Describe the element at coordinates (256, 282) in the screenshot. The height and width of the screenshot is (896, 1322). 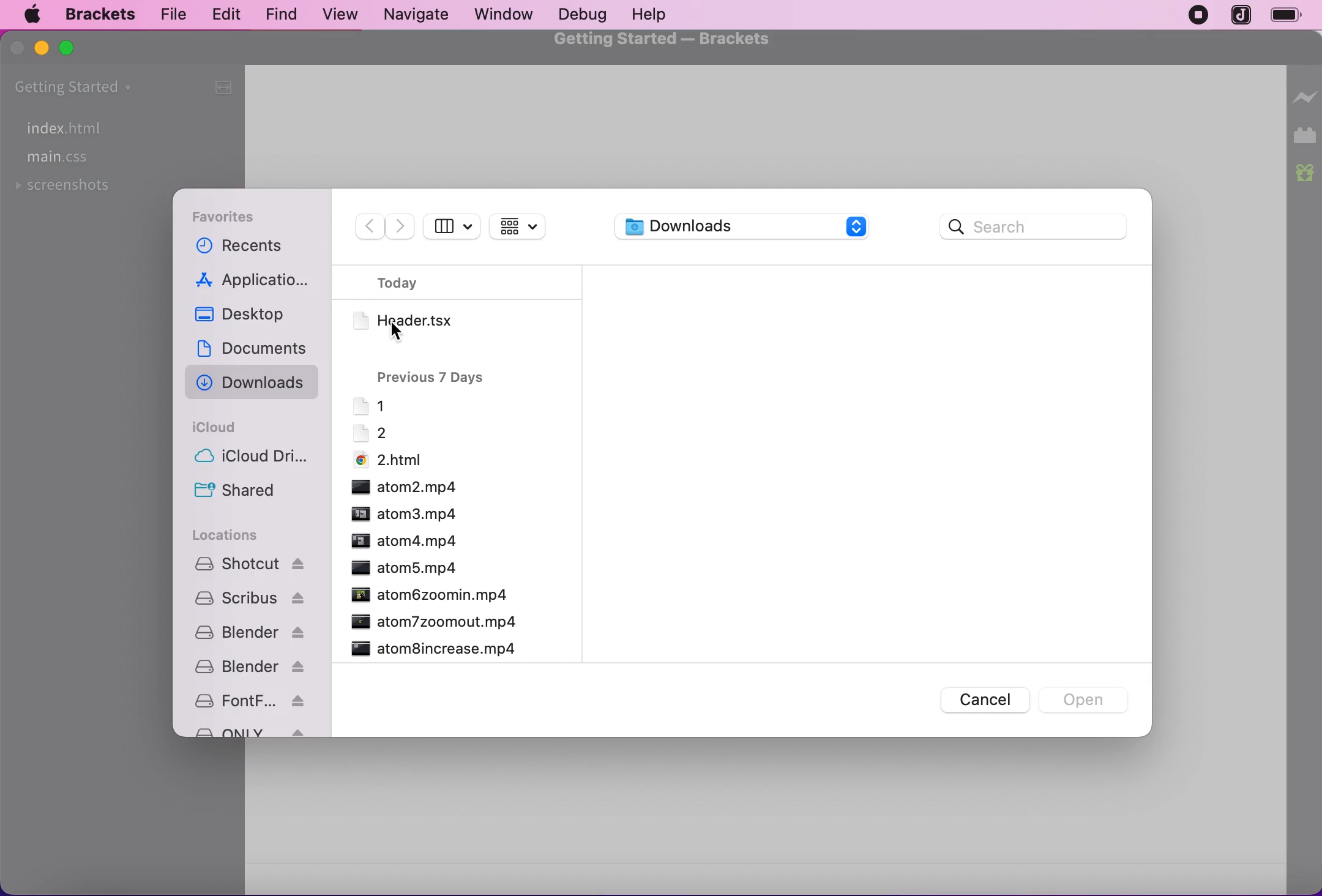
I see `applications` at that location.